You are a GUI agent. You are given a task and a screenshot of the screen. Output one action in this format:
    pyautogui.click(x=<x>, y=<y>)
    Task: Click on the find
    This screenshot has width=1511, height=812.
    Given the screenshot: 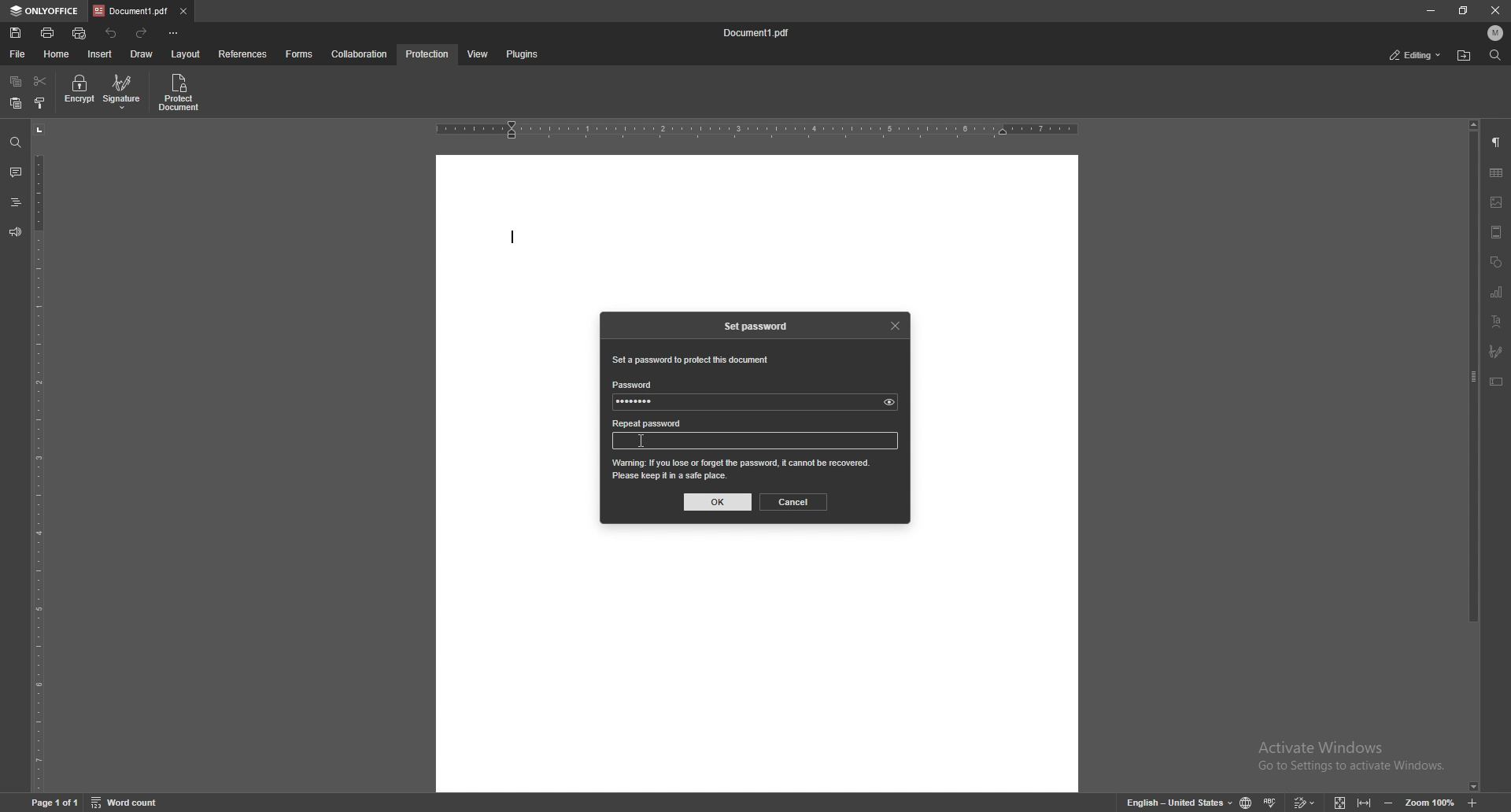 What is the action you would take?
    pyautogui.click(x=15, y=142)
    